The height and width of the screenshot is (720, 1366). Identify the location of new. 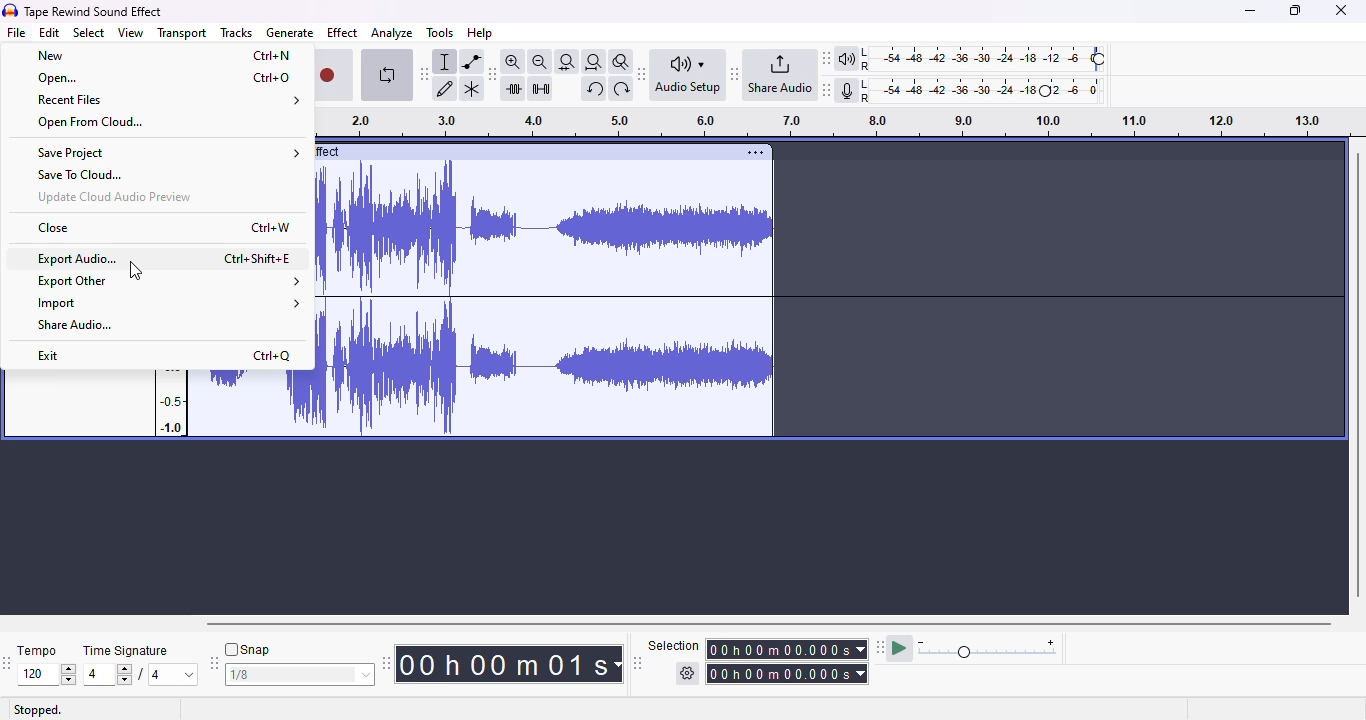
(51, 56).